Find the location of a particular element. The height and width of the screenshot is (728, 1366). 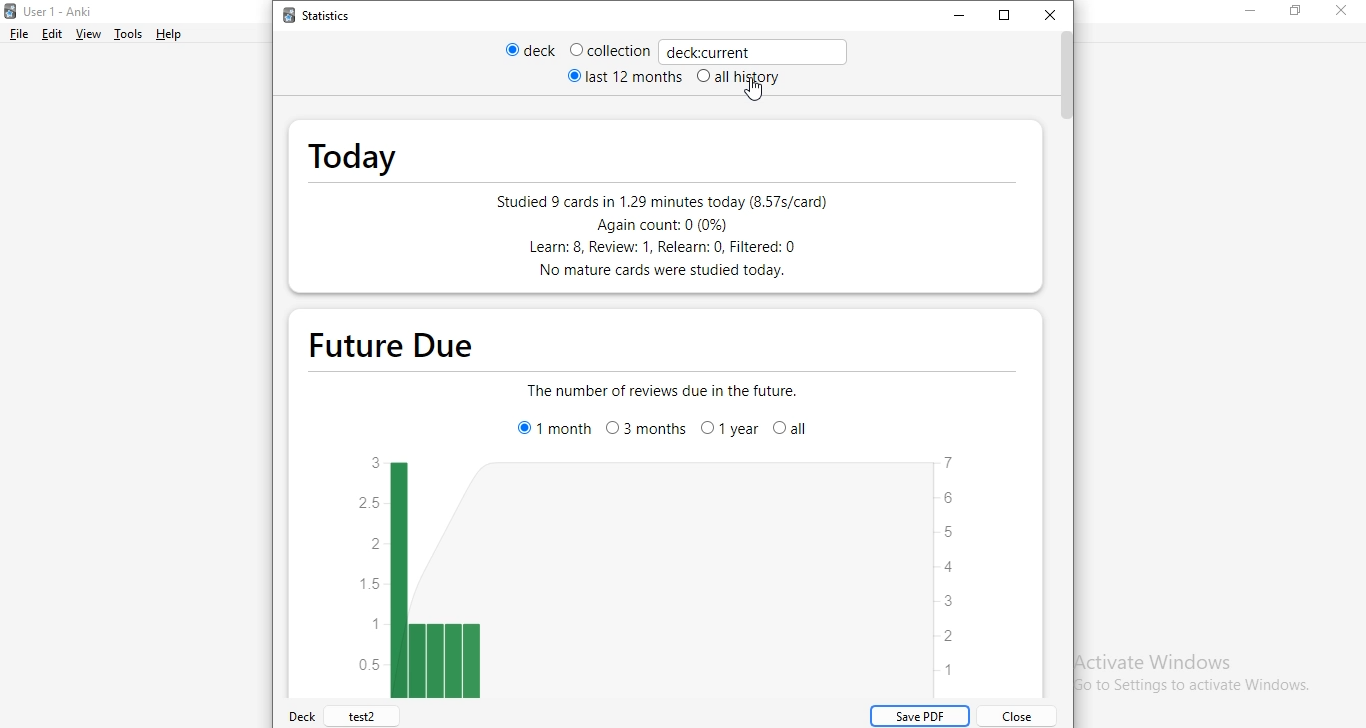

deck is located at coordinates (303, 716).